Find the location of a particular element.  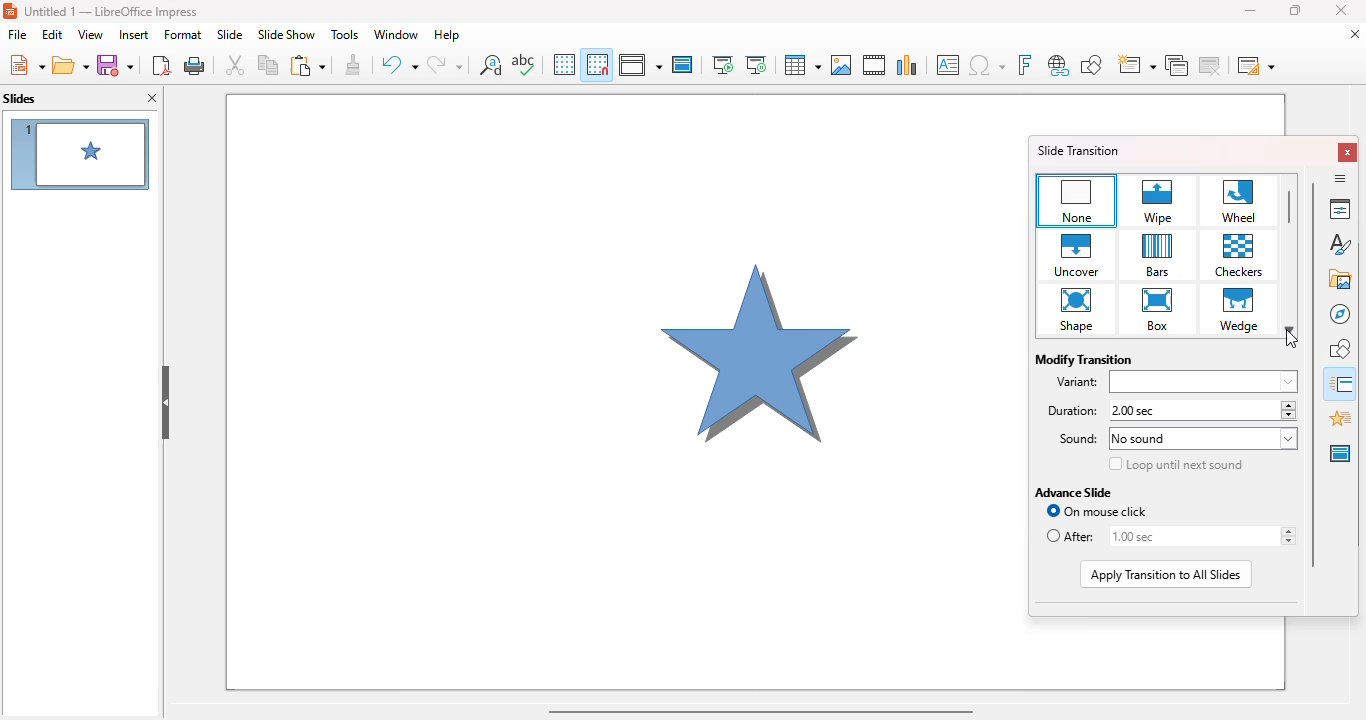

display grid is located at coordinates (564, 64).